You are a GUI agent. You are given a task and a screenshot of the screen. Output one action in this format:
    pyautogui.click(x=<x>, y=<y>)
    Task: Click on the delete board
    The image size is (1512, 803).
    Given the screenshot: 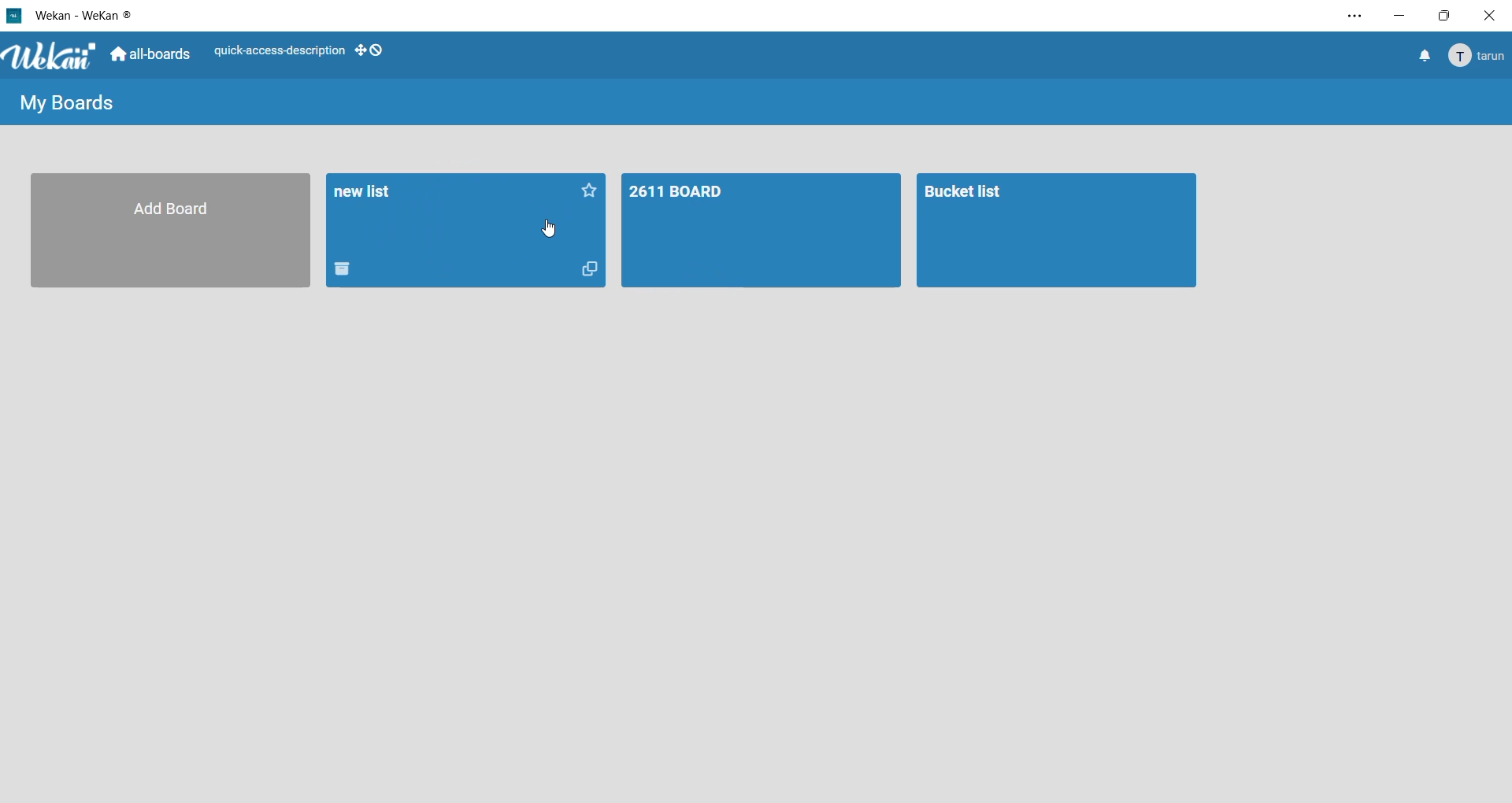 What is the action you would take?
    pyautogui.click(x=350, y=270)
    